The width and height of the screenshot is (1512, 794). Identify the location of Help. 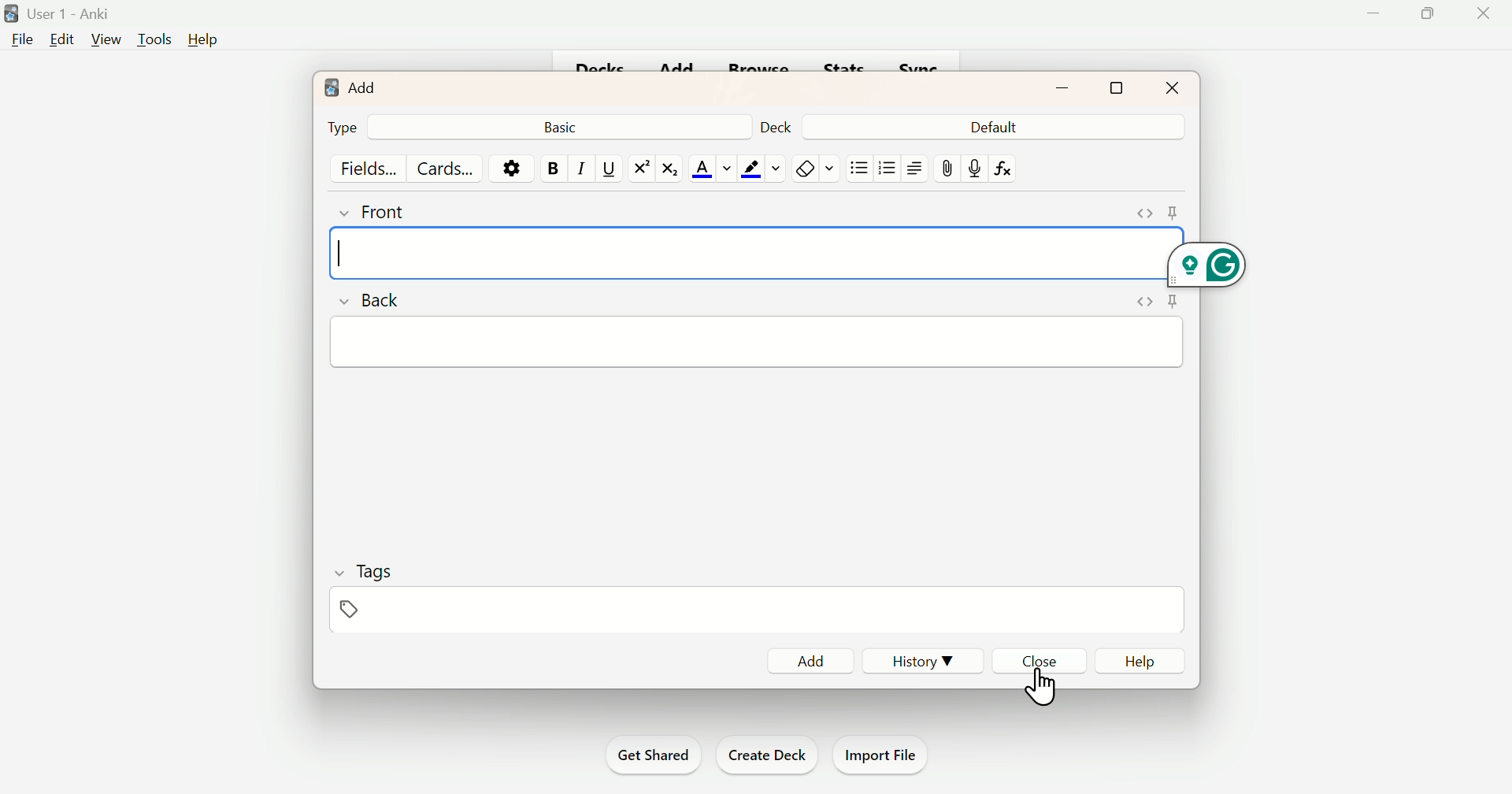
(203, 36).